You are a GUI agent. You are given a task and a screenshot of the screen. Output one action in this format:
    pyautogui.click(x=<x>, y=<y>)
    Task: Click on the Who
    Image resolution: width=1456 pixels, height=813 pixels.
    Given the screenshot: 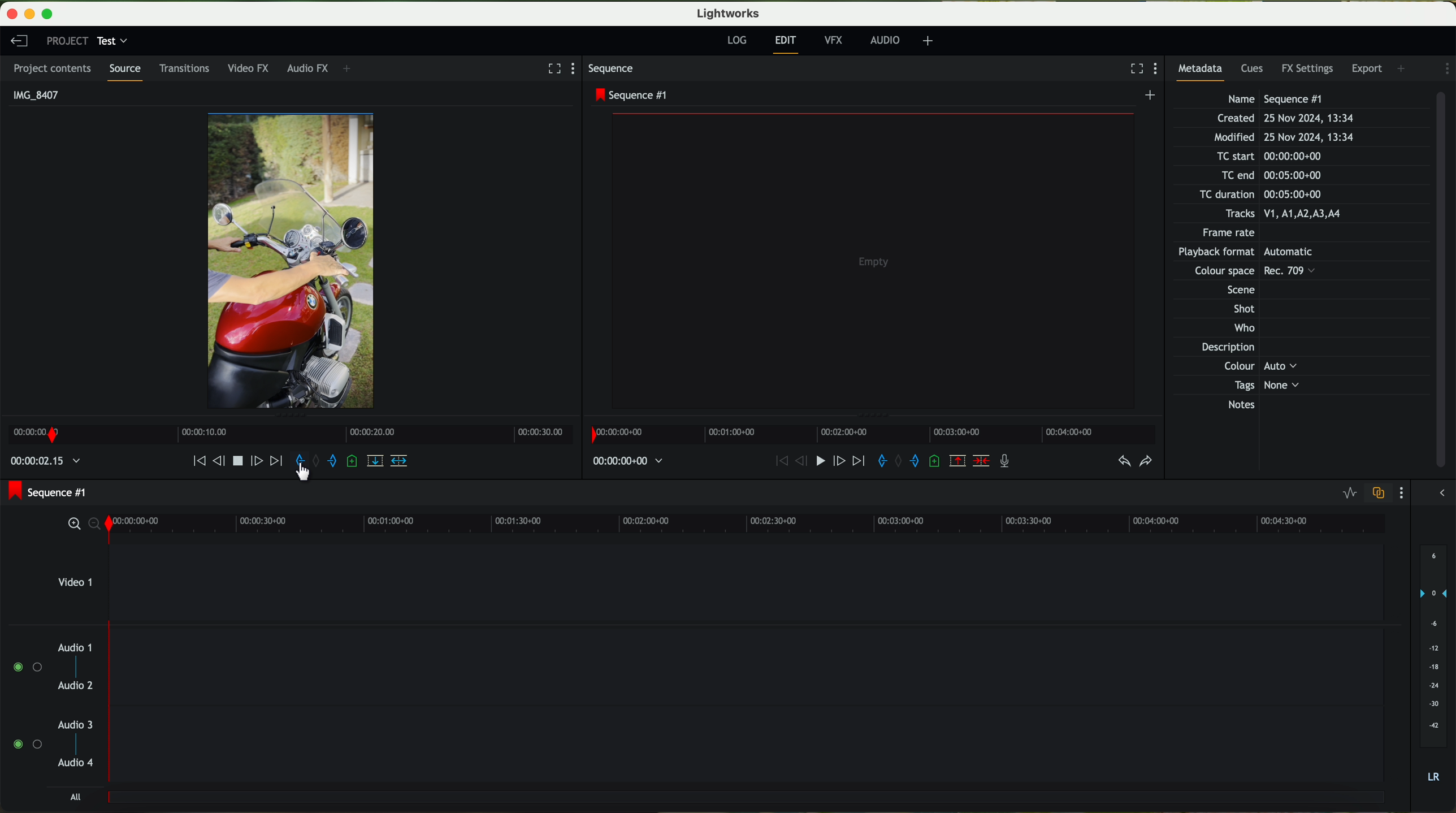 What is the action you would take?
    pyautogui.click(x=1242, y=329)
    